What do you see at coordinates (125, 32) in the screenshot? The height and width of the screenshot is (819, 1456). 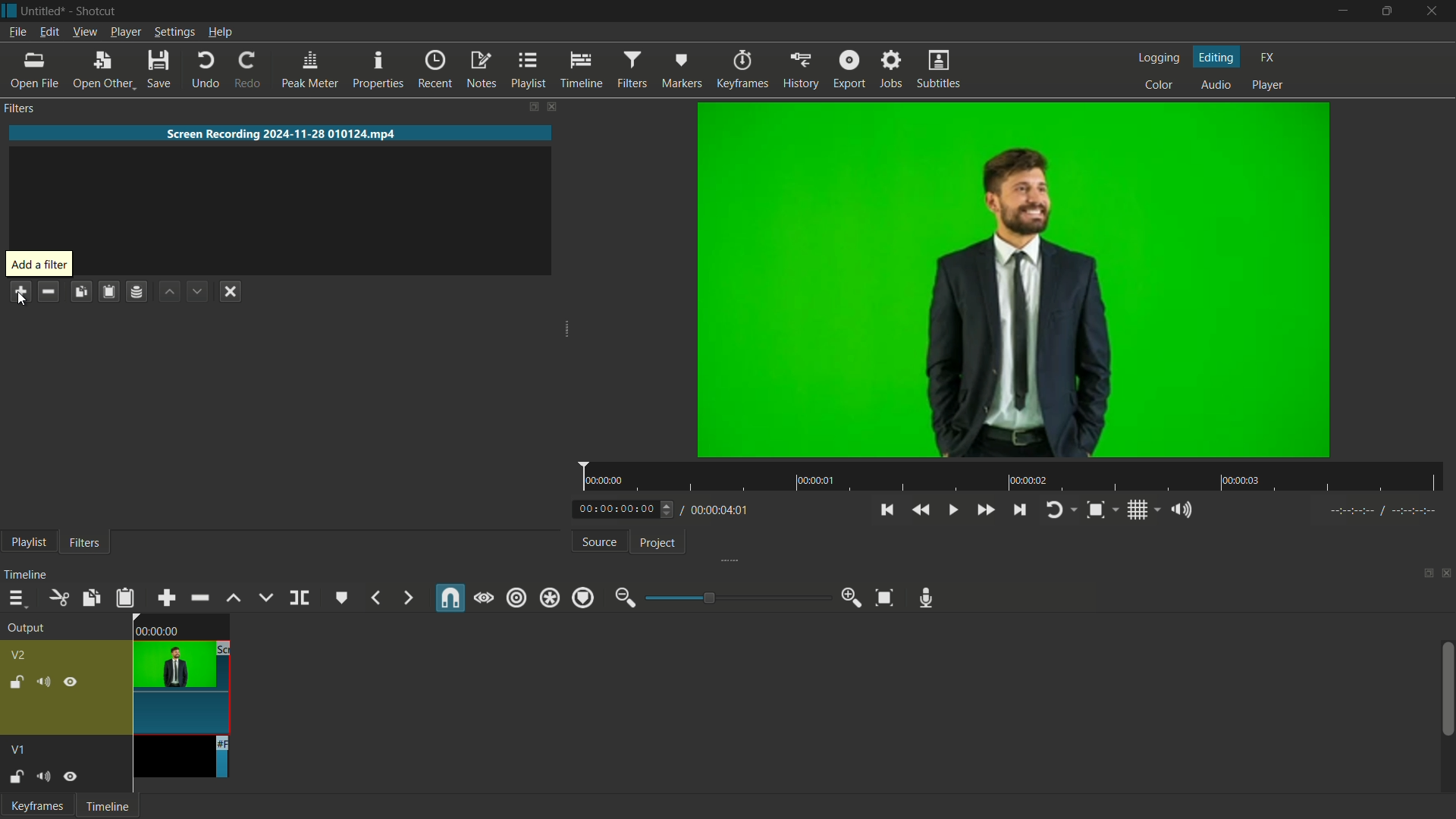 I see `player menu` at bounding box center [125, 32].